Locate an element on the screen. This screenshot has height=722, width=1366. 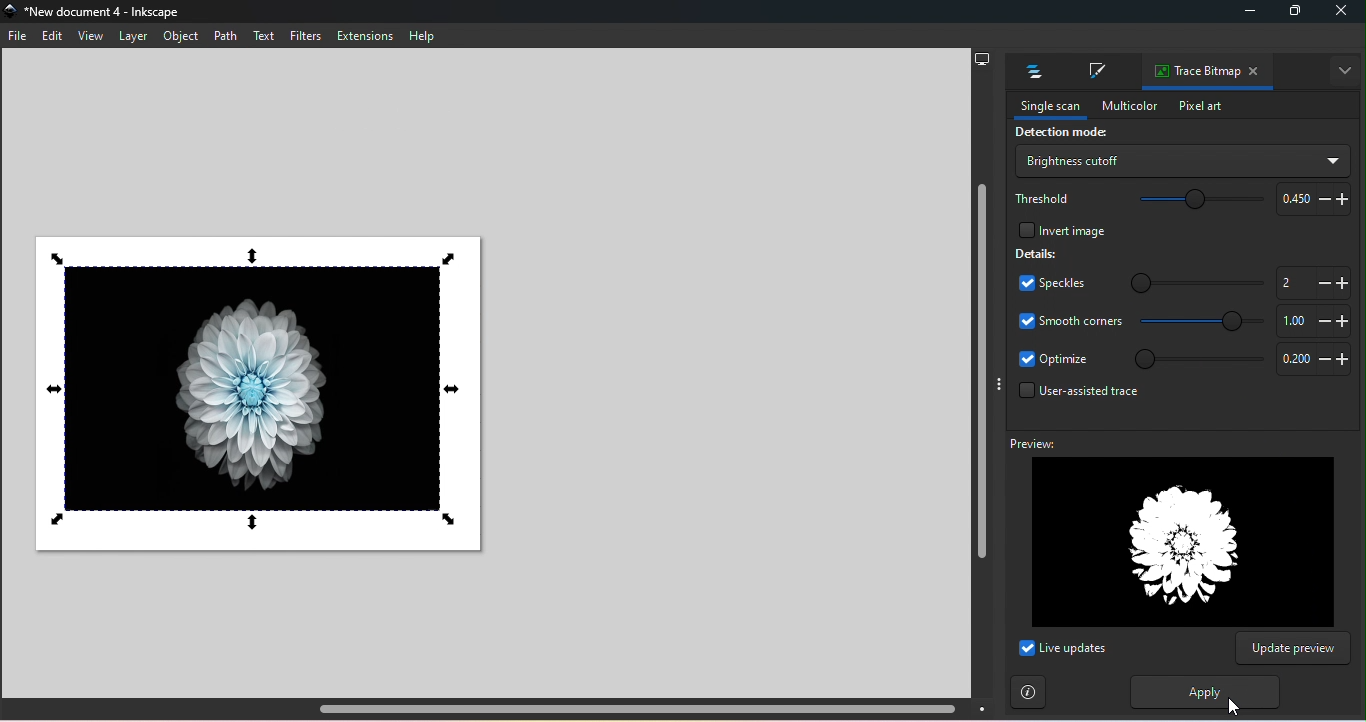
Update preview is located at coordinates (1293, 648).